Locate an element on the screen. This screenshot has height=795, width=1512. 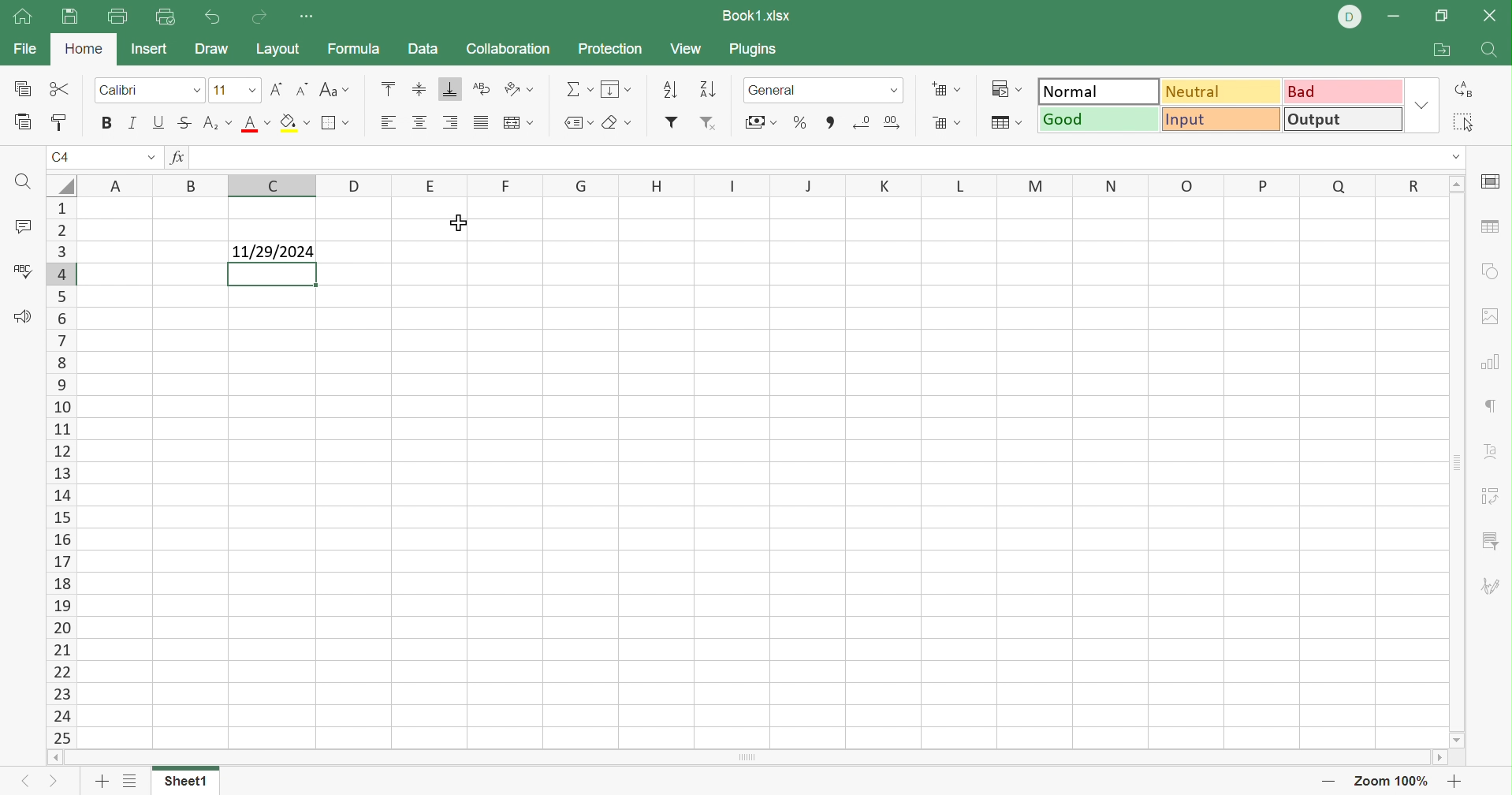
Borders is located at coordinates (338, 126).